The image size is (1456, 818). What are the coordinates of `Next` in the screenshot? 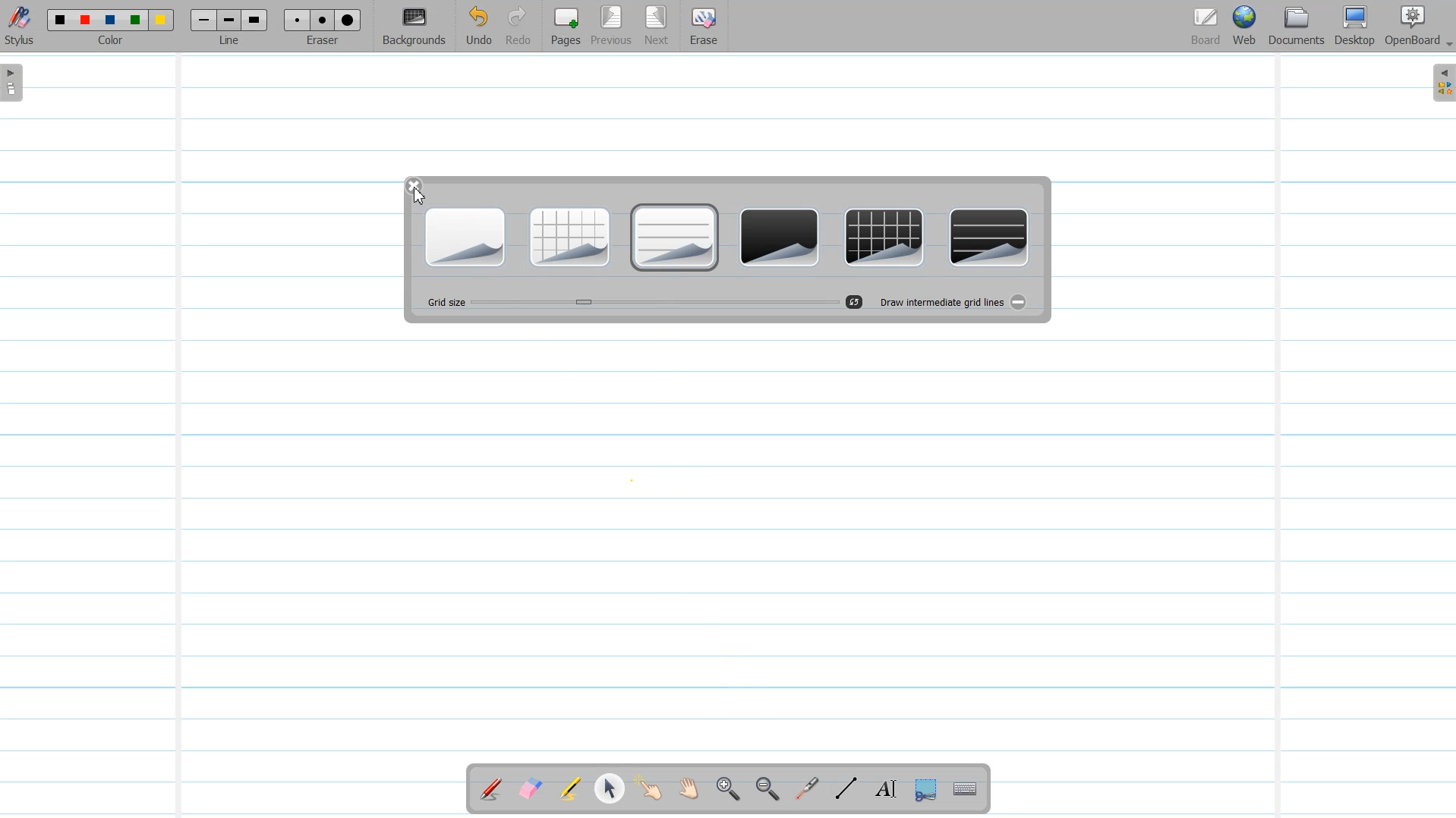 It's located at (657, 27).